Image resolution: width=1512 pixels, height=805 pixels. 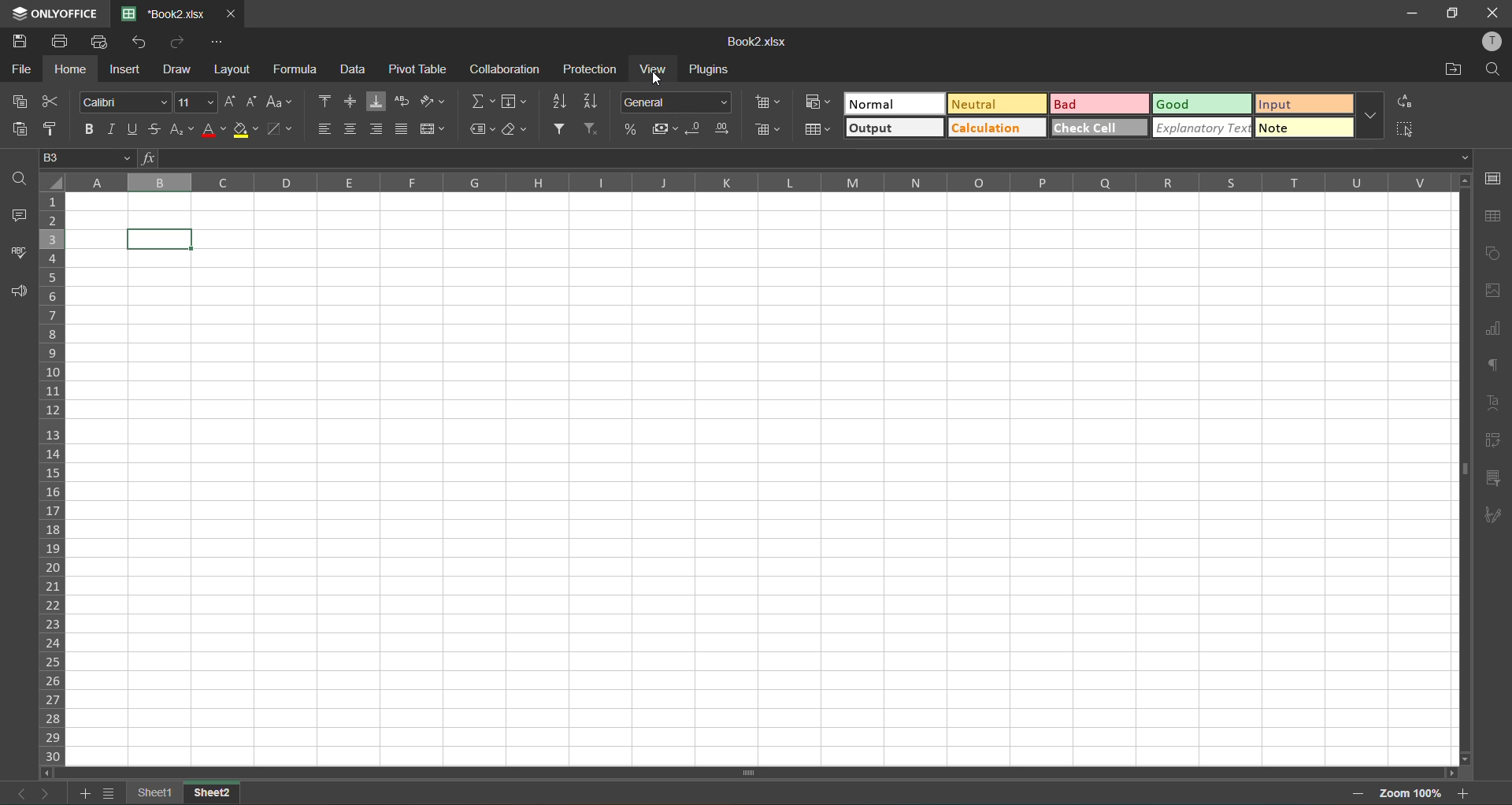 I want to click on decrease decimal, so click(x=695, y=131).